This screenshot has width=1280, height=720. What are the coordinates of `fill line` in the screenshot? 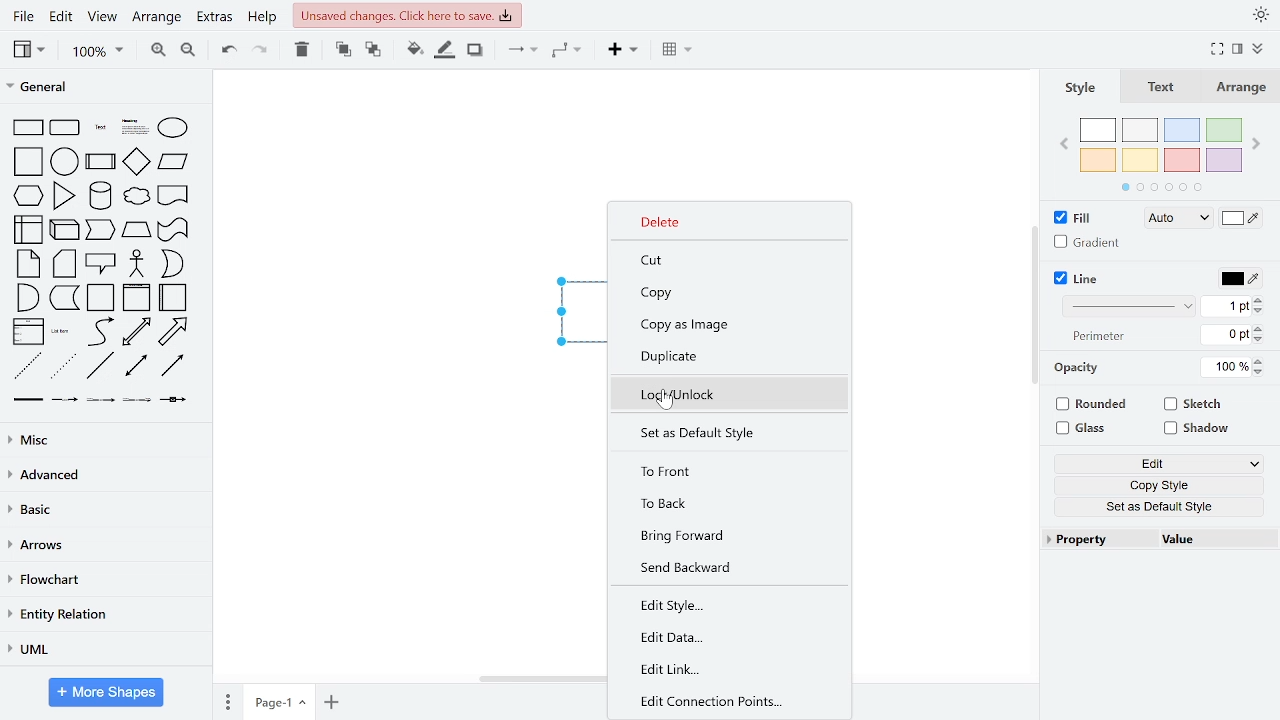 It's located at (446, 50).